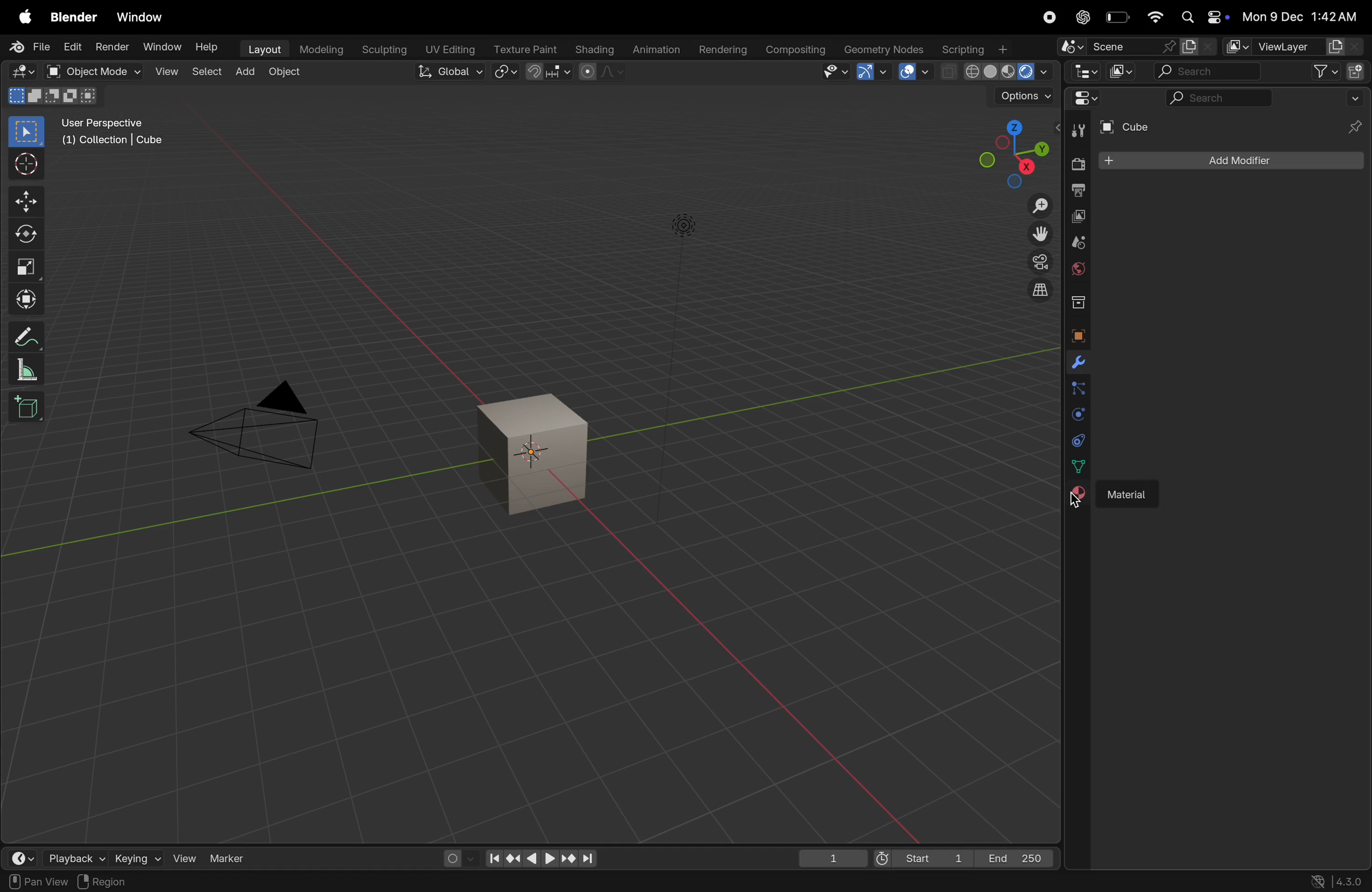  Describe the element at coordinates (1133, 128) in the screenshot. I see `Cube` at that location.